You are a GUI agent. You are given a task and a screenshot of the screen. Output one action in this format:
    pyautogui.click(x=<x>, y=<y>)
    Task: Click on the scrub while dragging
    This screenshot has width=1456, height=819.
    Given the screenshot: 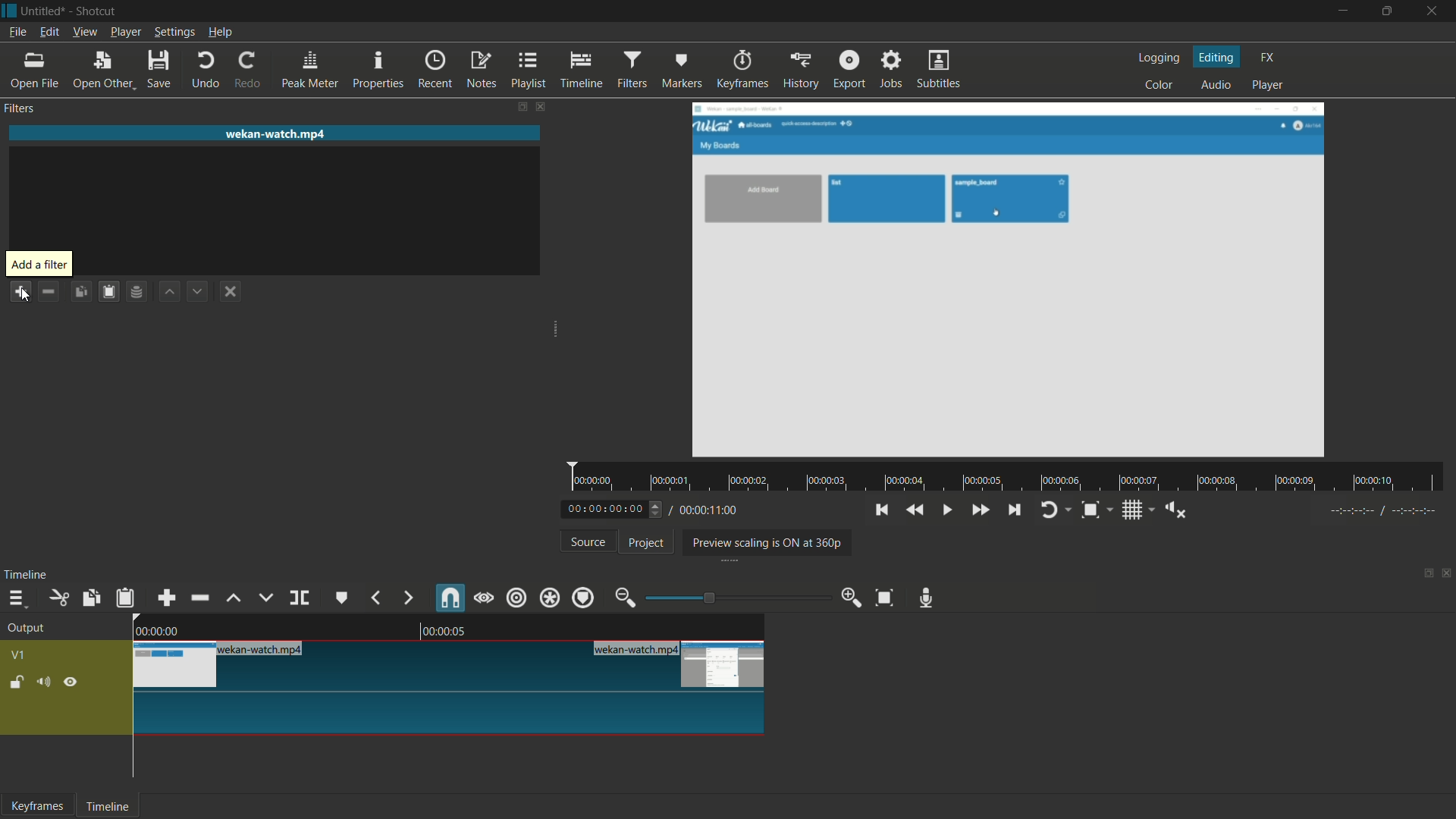 What is the action you would take?
    pyautogui.click(x=483, y=598)
    